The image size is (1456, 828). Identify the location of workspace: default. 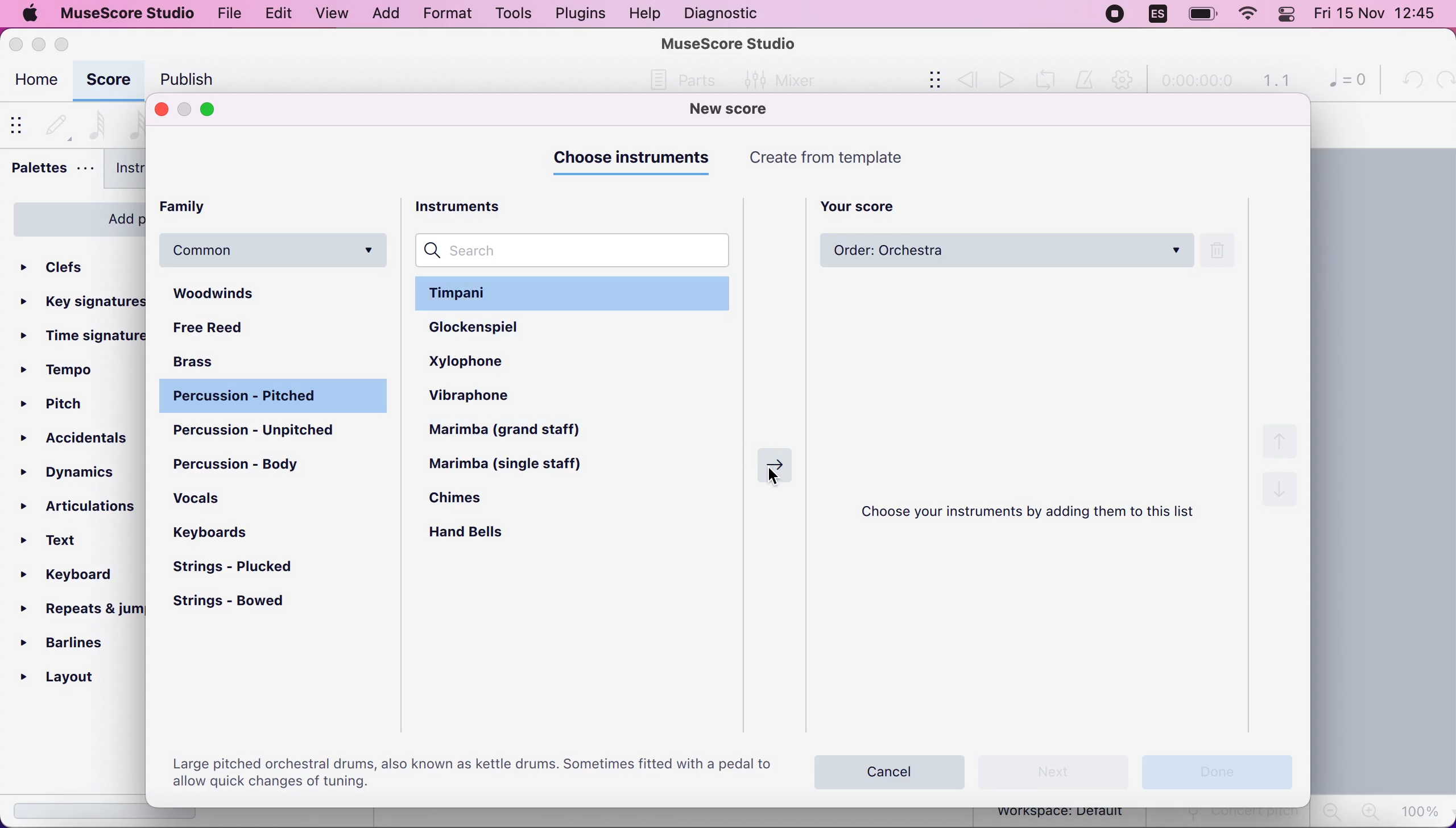
(1064, 814).